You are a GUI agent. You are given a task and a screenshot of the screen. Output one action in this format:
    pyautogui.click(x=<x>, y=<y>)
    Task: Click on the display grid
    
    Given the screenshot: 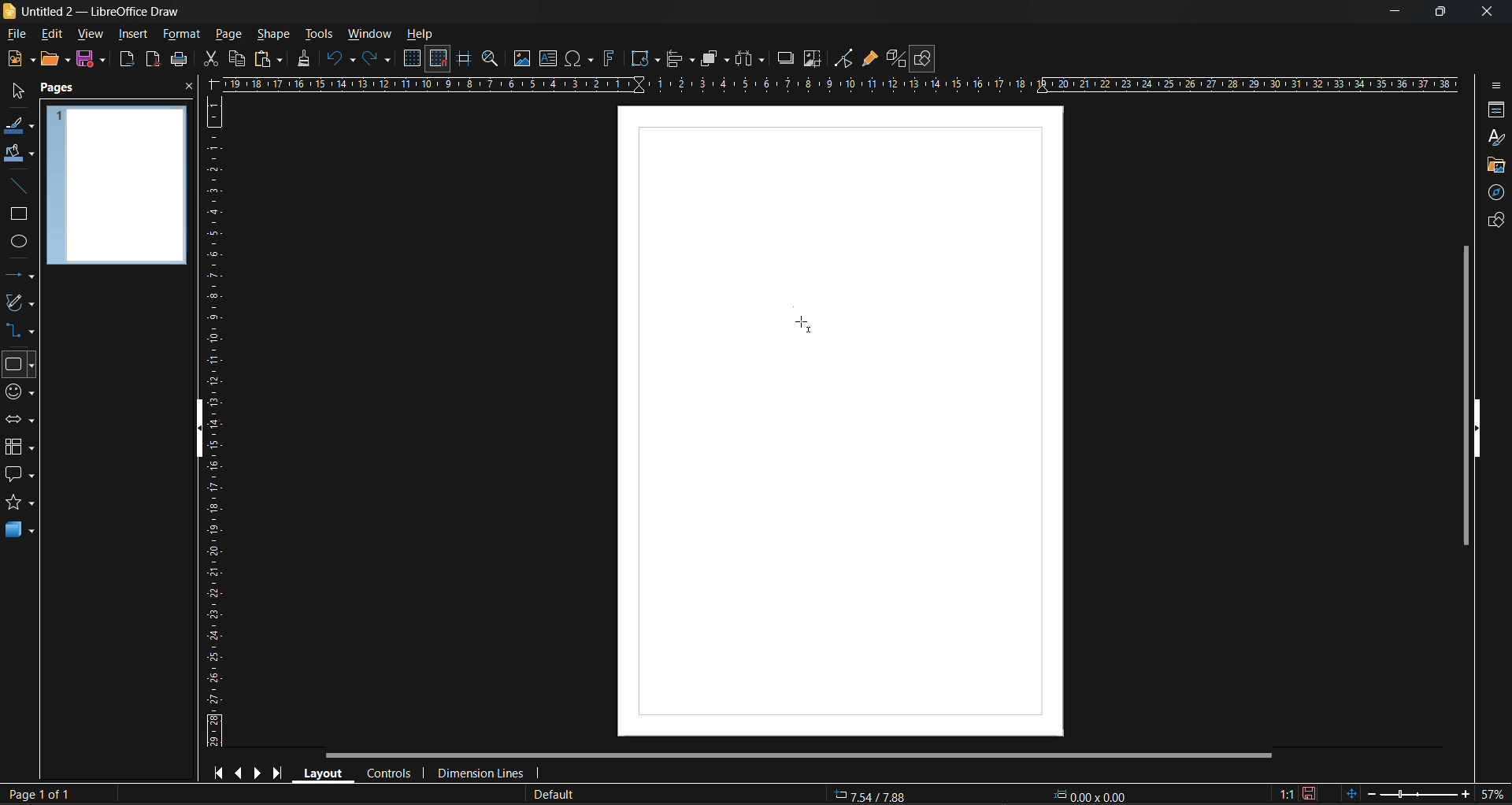 What is the action you would take?
    pyautogui.click(x=414, y=59)
    